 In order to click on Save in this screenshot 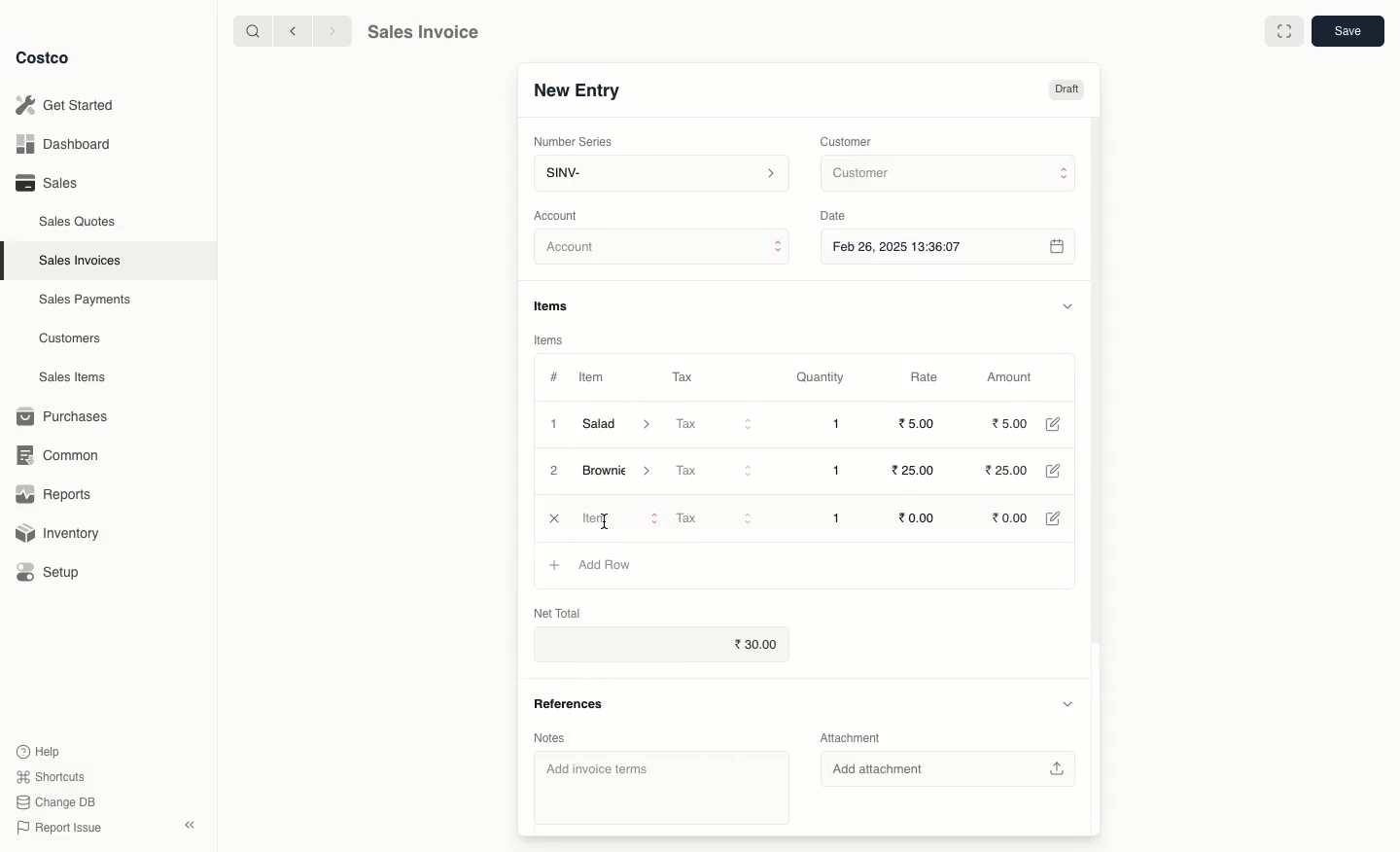, I will do `click(1350, 33)`.